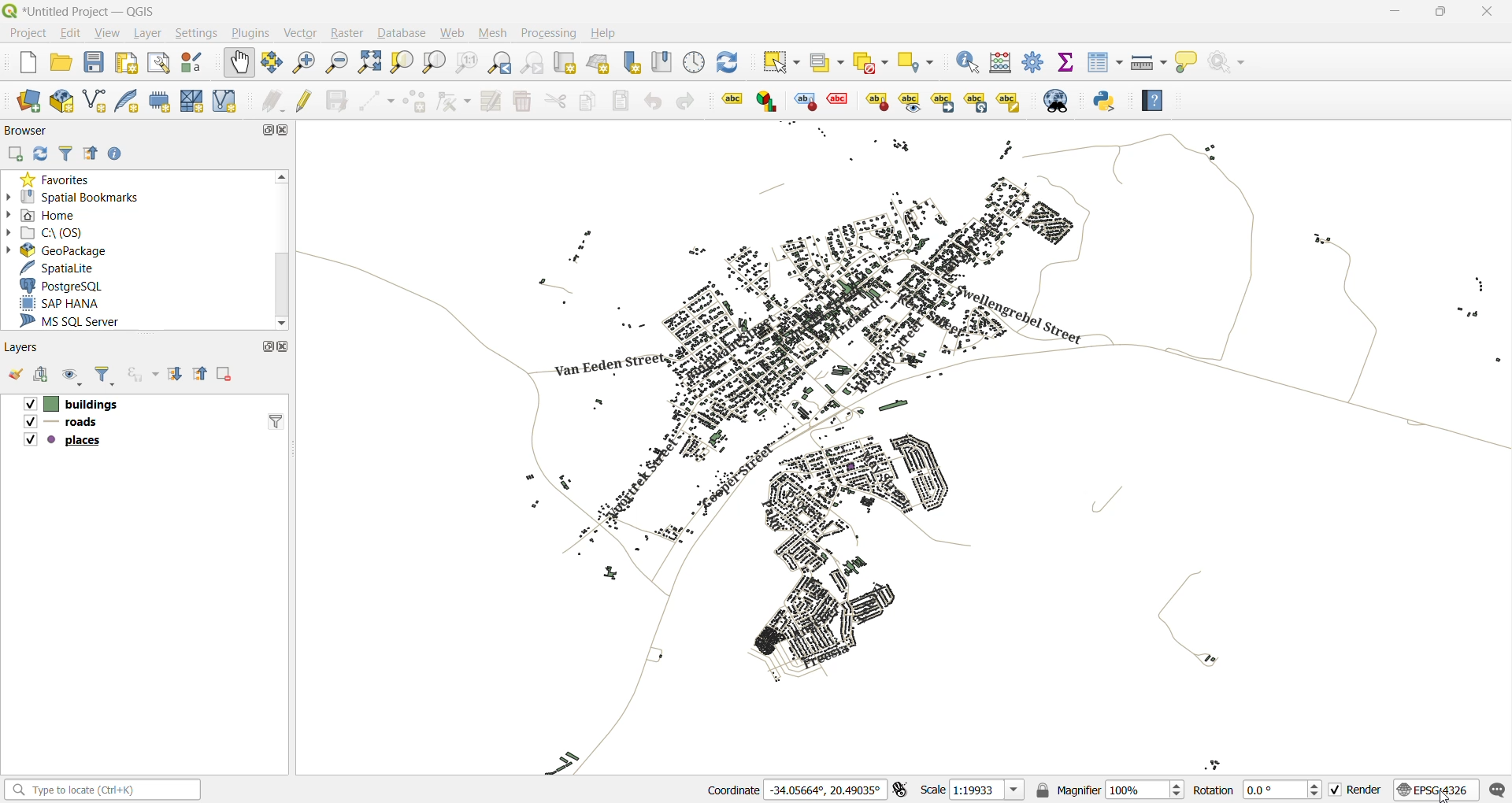  Describe the element at coordinates (74, 194) in the screenshot. I see `spatial bookmarks` at that location.